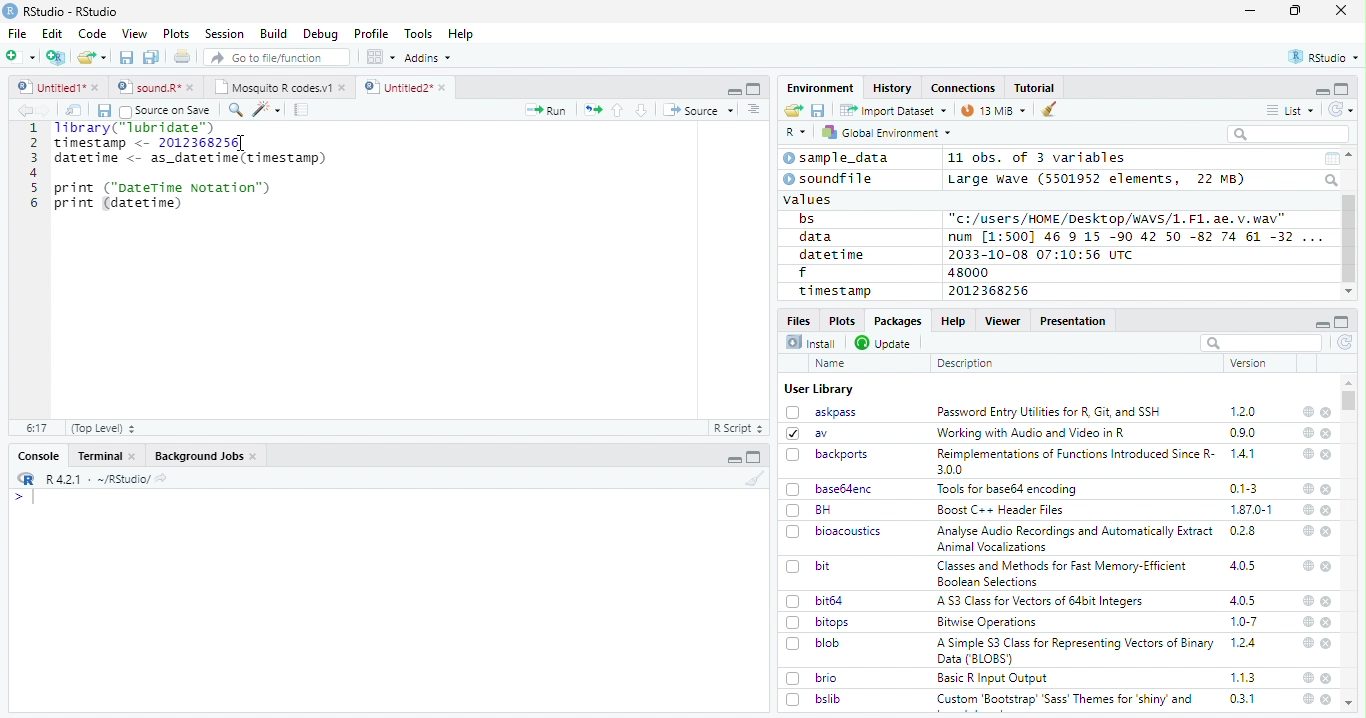 The height and width of the screenshot is (718, 1366). I want to click on Full screen, so click(754, 457).